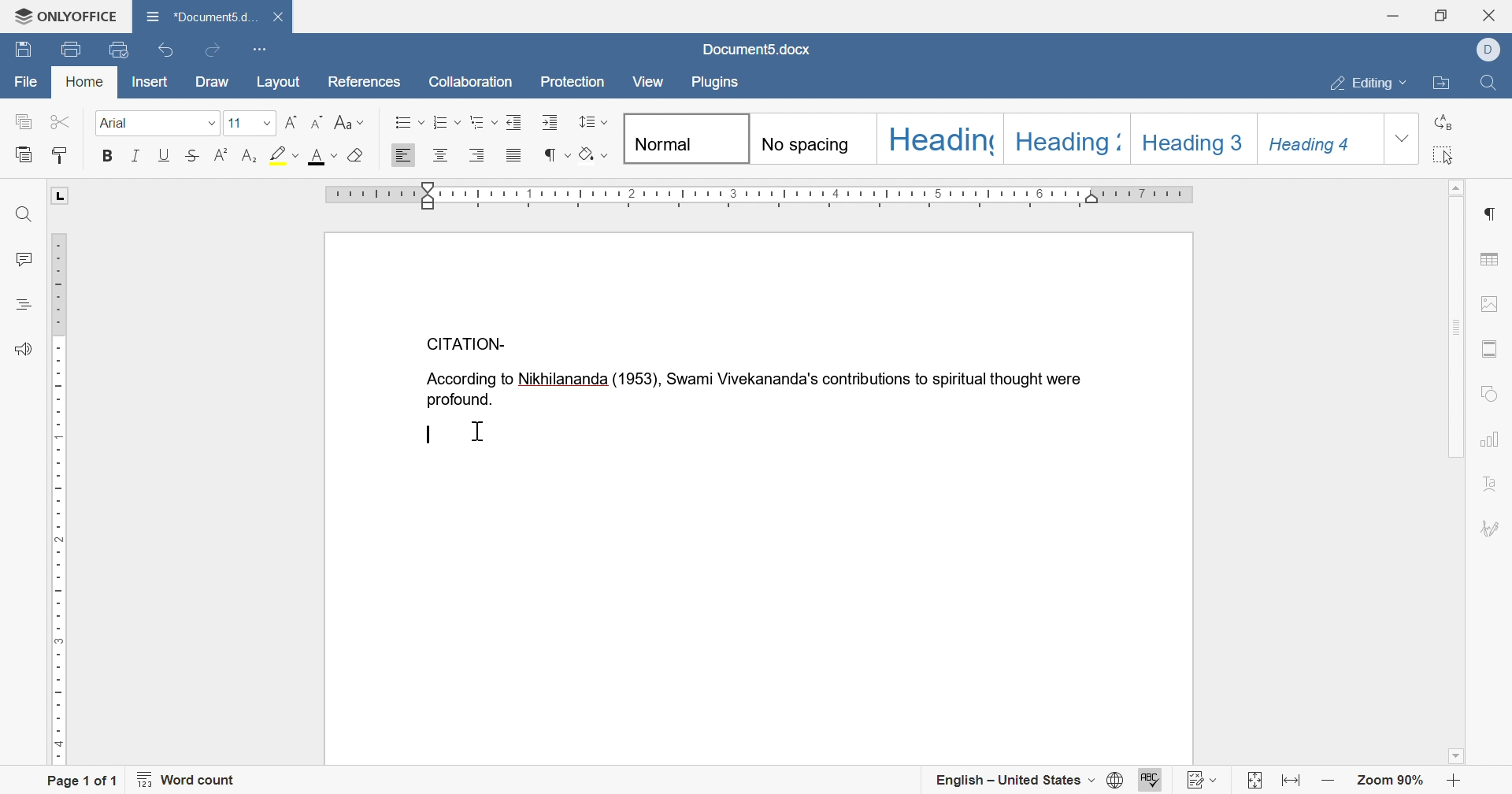  I want to click on comments, so click(26, 259).